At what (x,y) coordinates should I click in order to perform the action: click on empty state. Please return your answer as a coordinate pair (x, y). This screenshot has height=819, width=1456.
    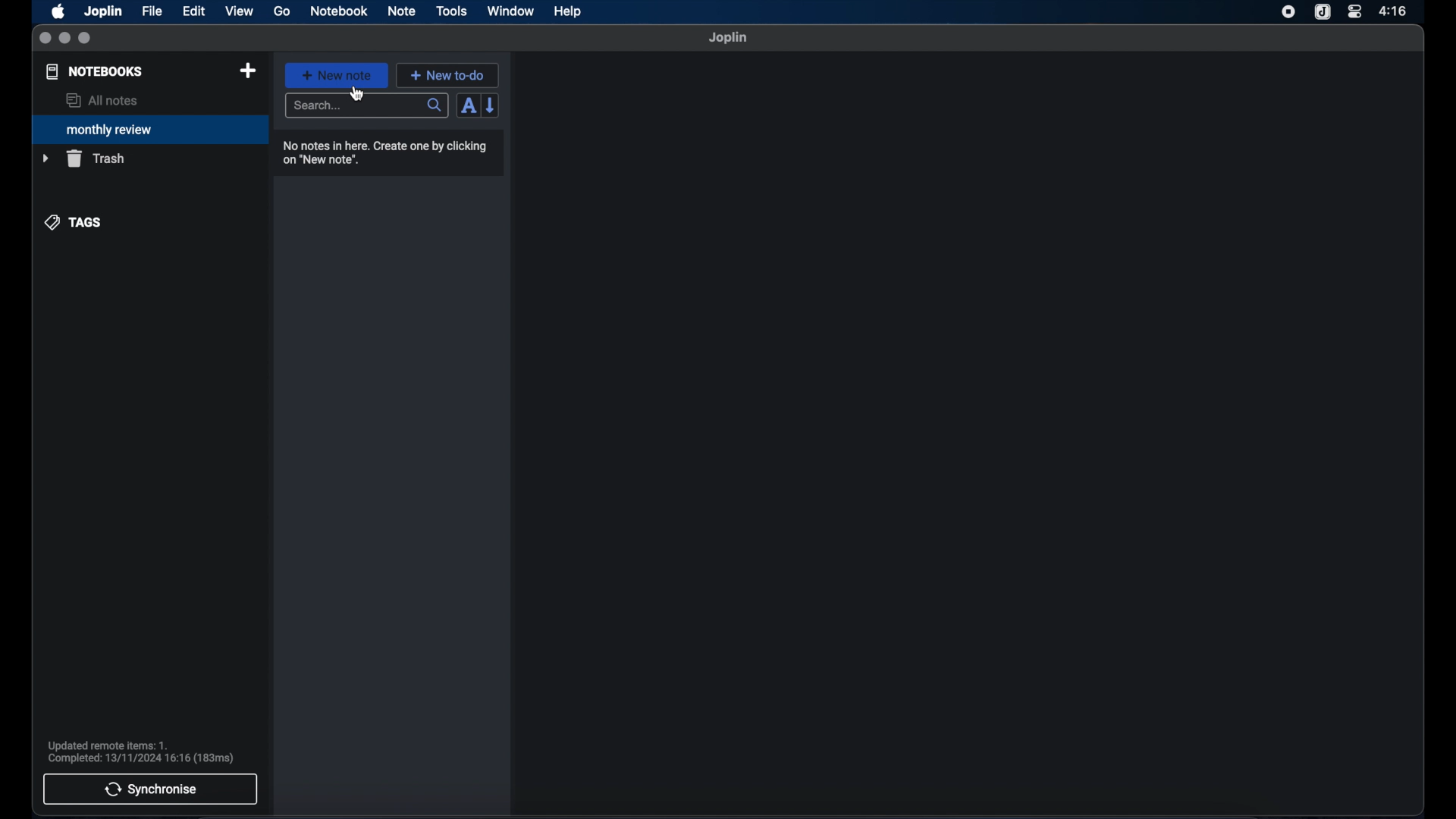
    Looking at the image, I should click on (968, 433).